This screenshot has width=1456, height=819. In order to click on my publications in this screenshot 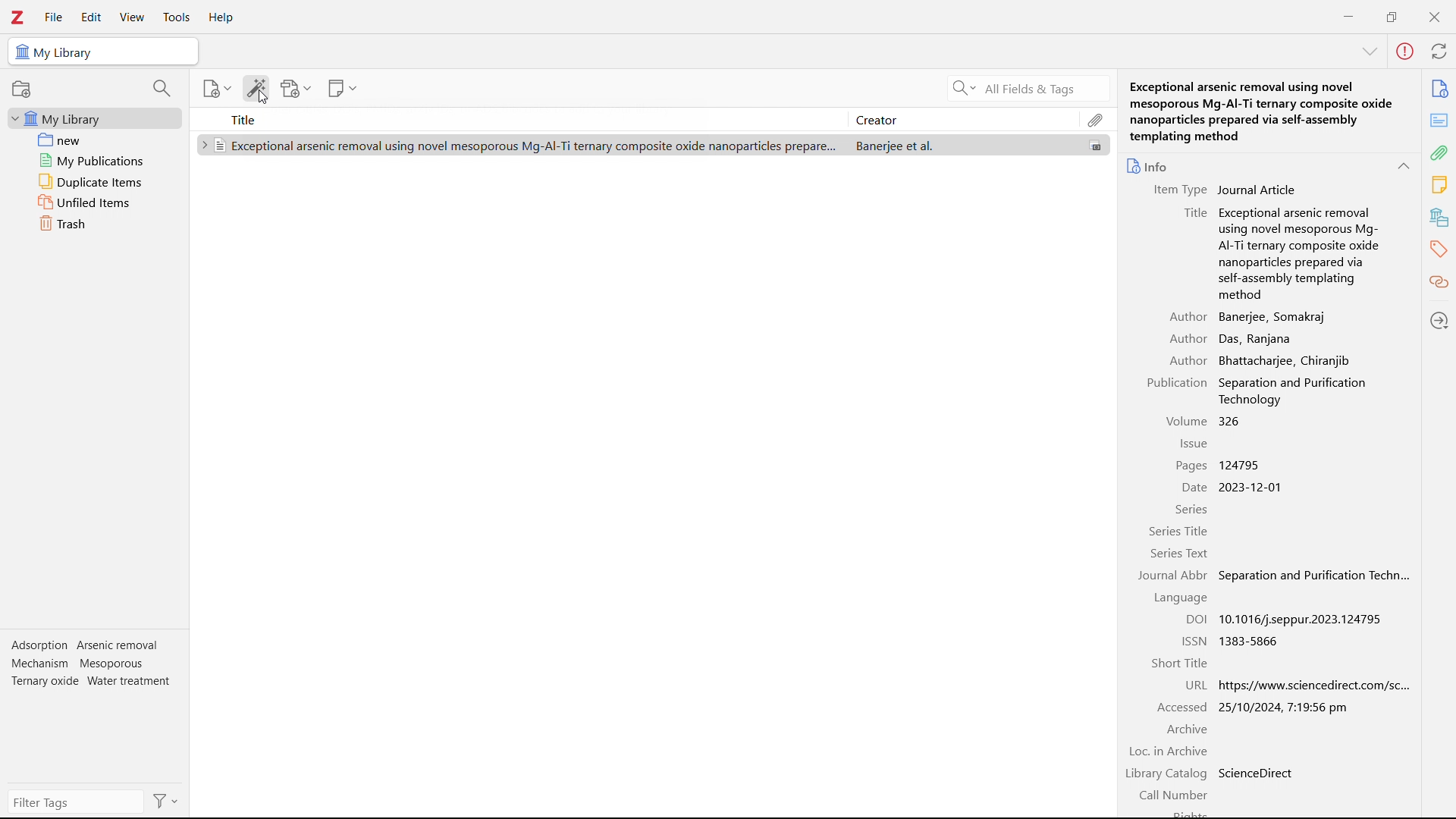, I will do `click(96, 160)`.